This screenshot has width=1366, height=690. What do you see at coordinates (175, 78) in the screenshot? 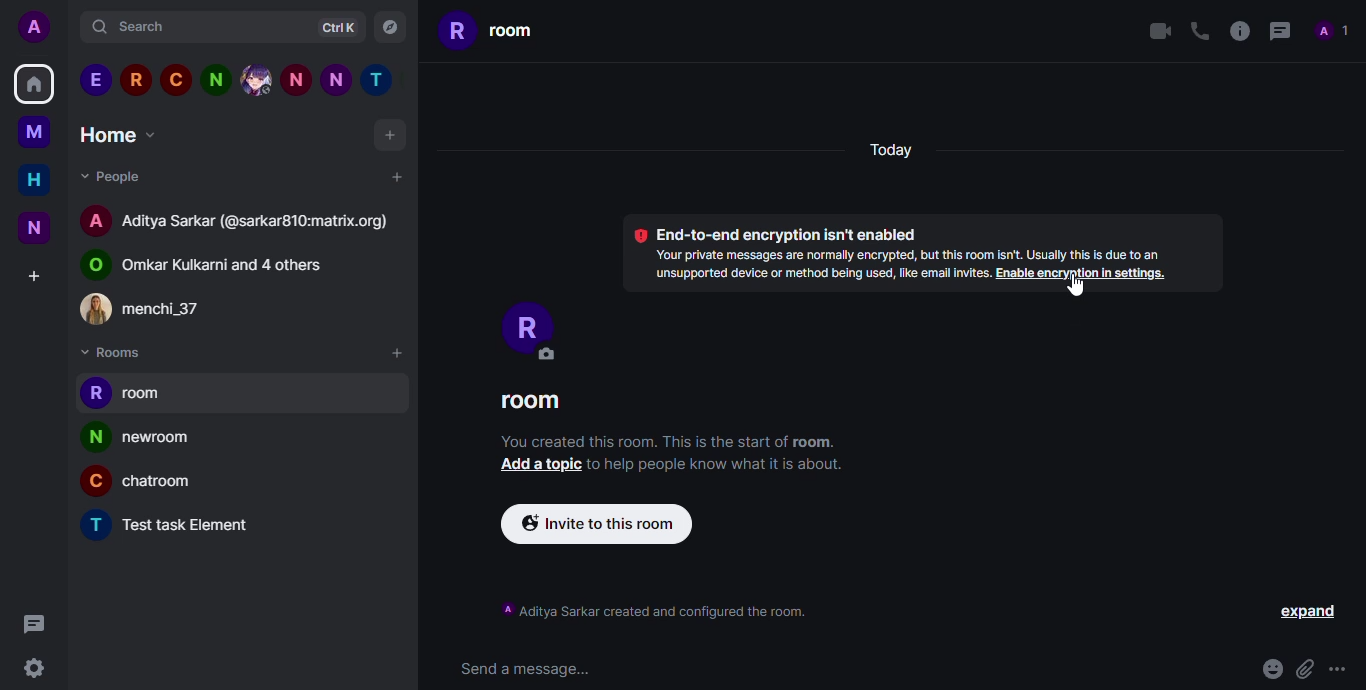
I see `people 3` at bounding box center [175, 78].